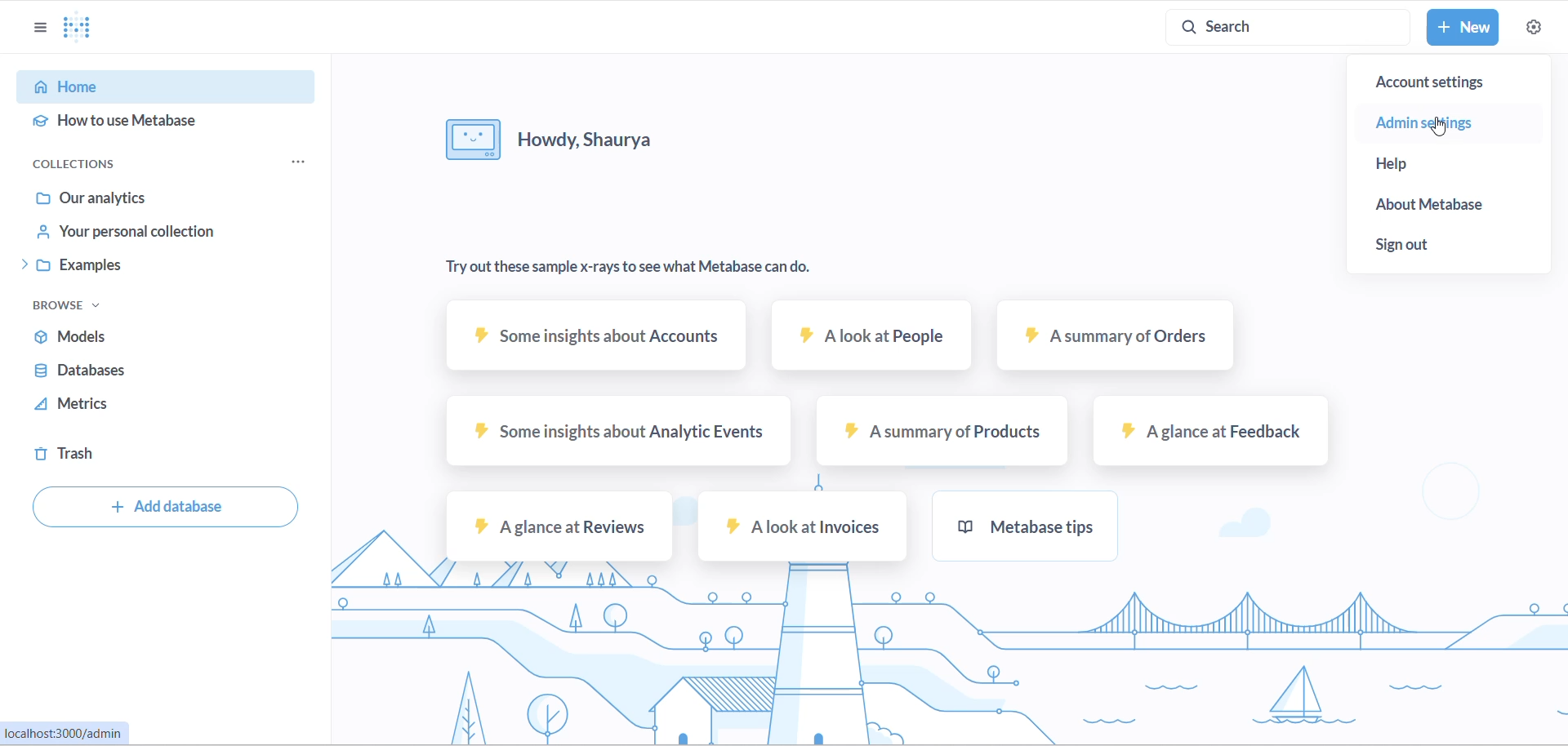 This screenshot has width=1568, height=746. What do you see at coordinates (125, 377) in the screenshot?
I see `DATABSES` at bounding box center [125, 377].